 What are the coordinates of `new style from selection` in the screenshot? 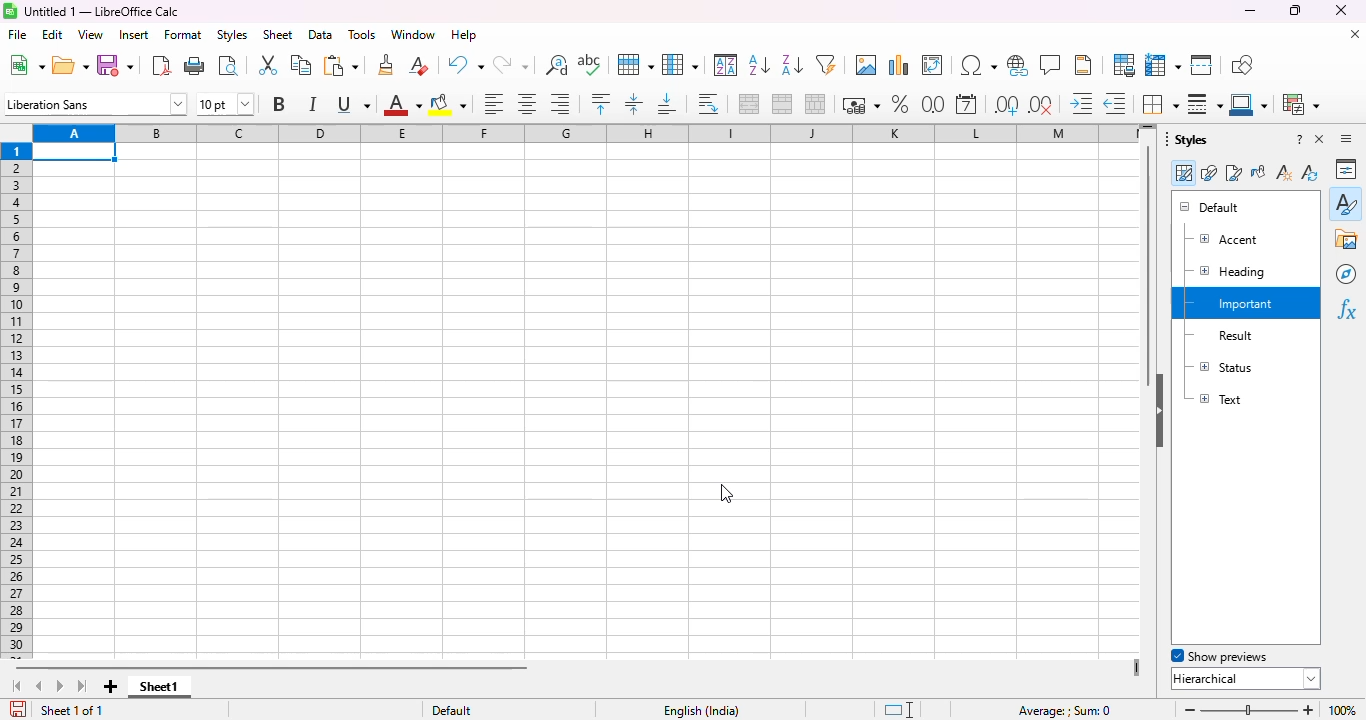 It's located at (1283, 171).